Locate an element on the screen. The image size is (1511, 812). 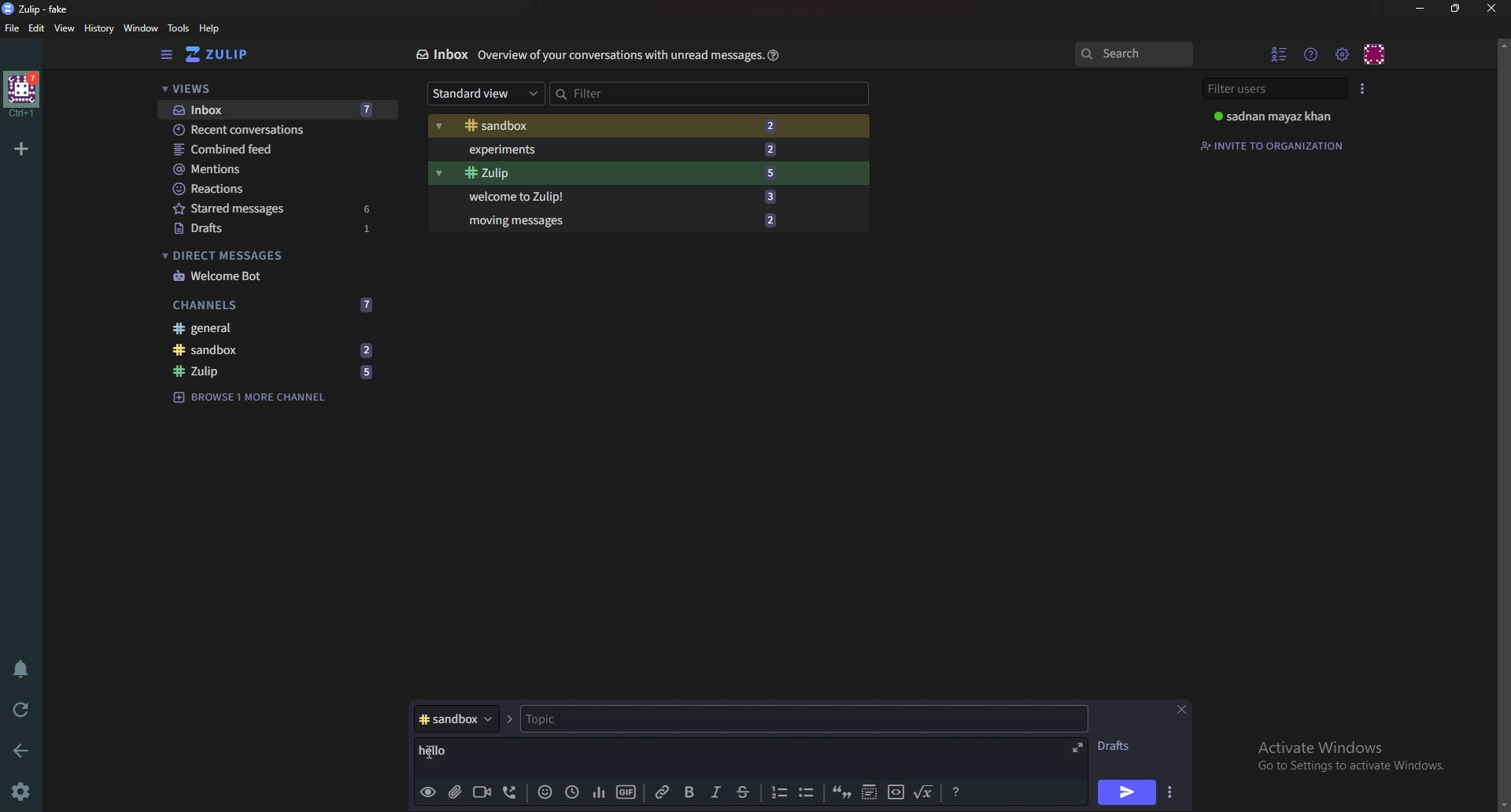
Moving messages is located at coordinates (623, 220).